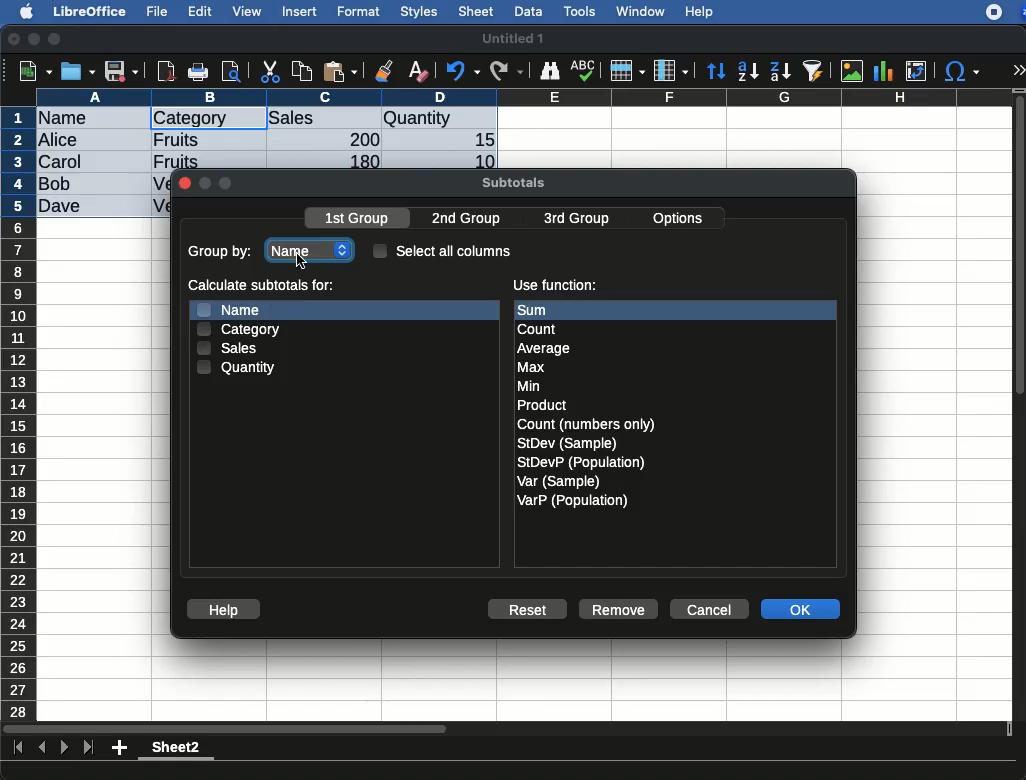 This screenshot has width=1026, height=780. Describe the element at coordinates (471, 219) in the screenshot. I see `2nd group` at that location.